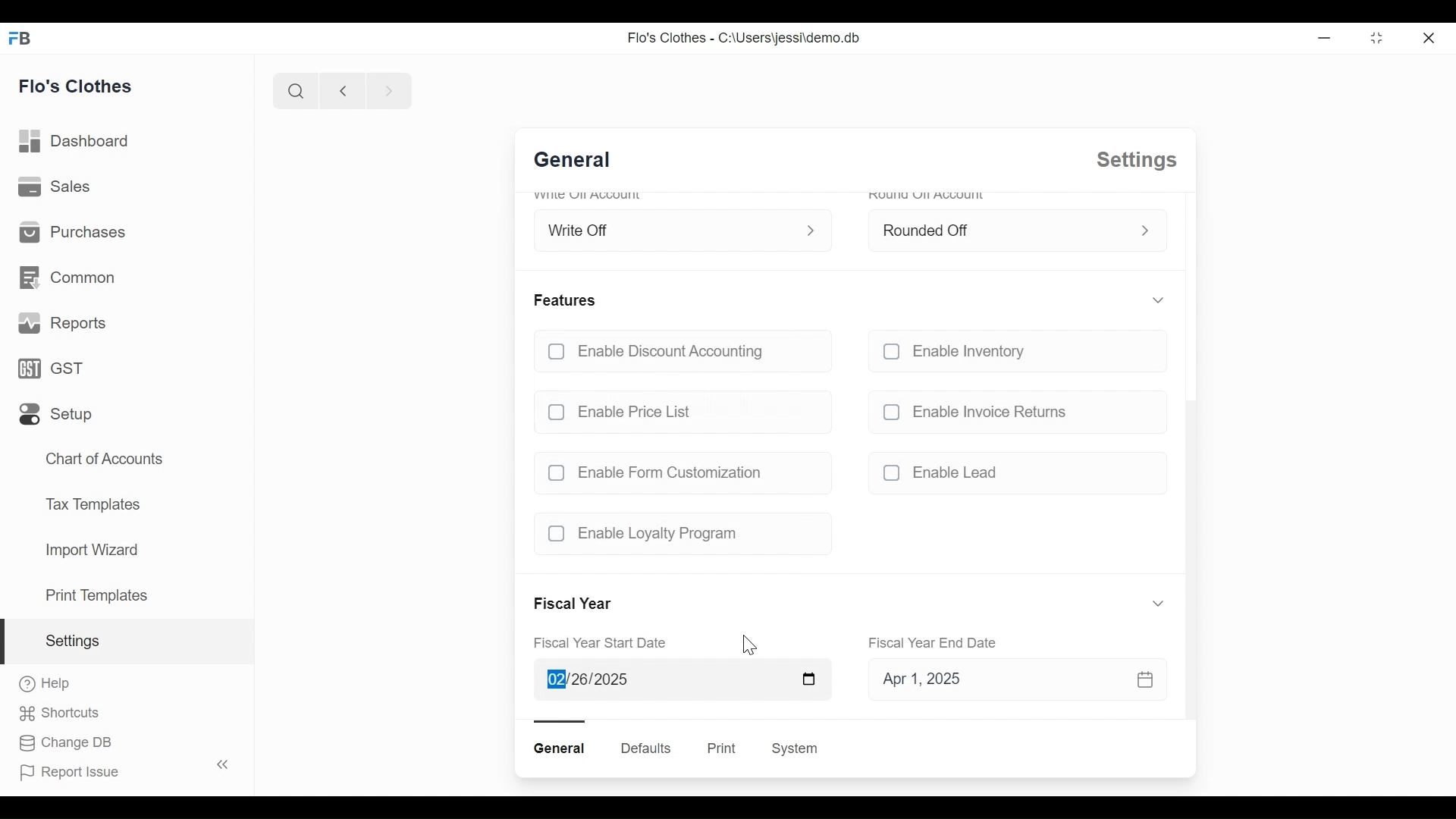 Image resolution: width=1456 pixels, height=819 pixels. What do you see at coordinates (1012, 354) in the screenshot?
I see `unchecked Enable Inventory` at bounding box center [1012, 354].